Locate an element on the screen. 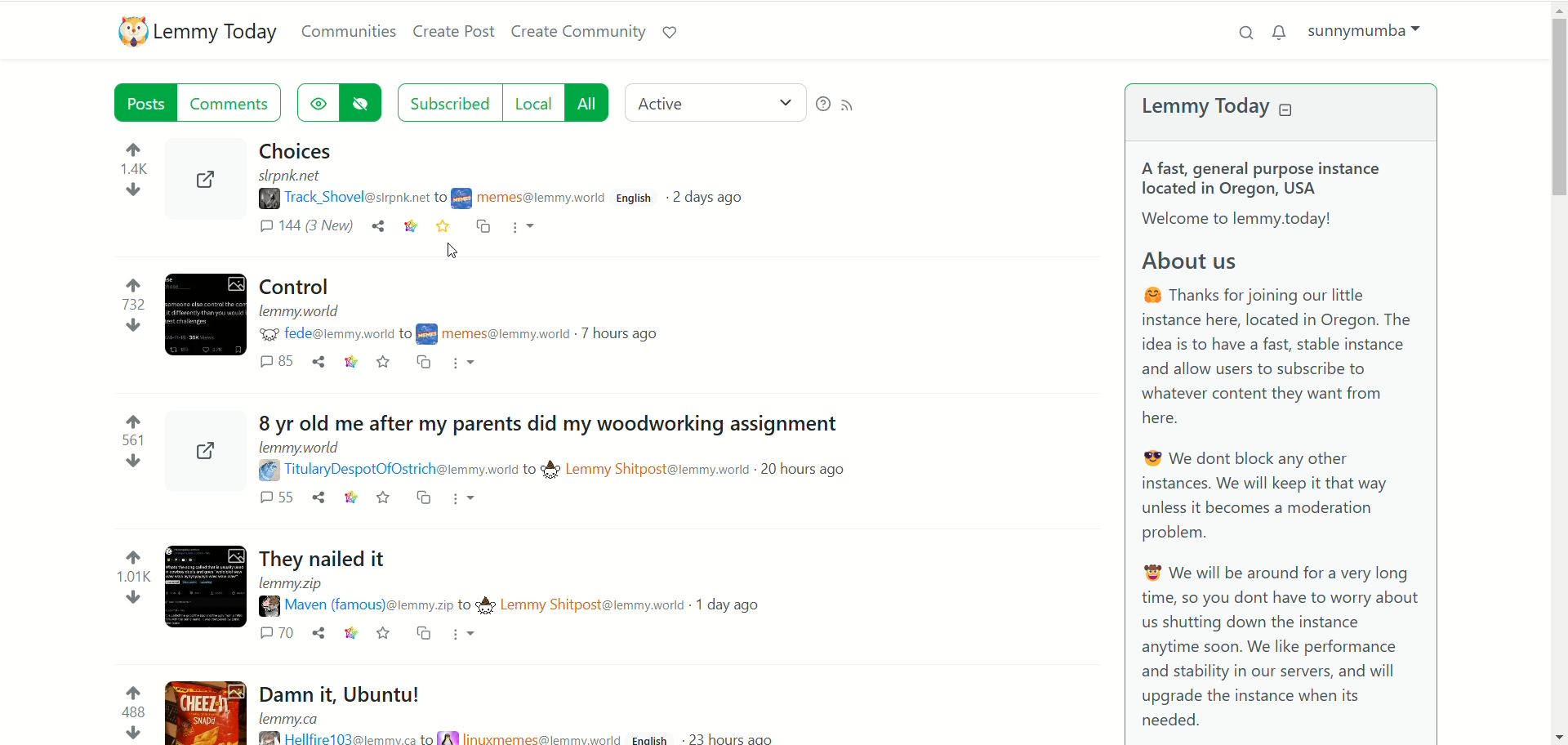  save is located at coordinates (381, 497).